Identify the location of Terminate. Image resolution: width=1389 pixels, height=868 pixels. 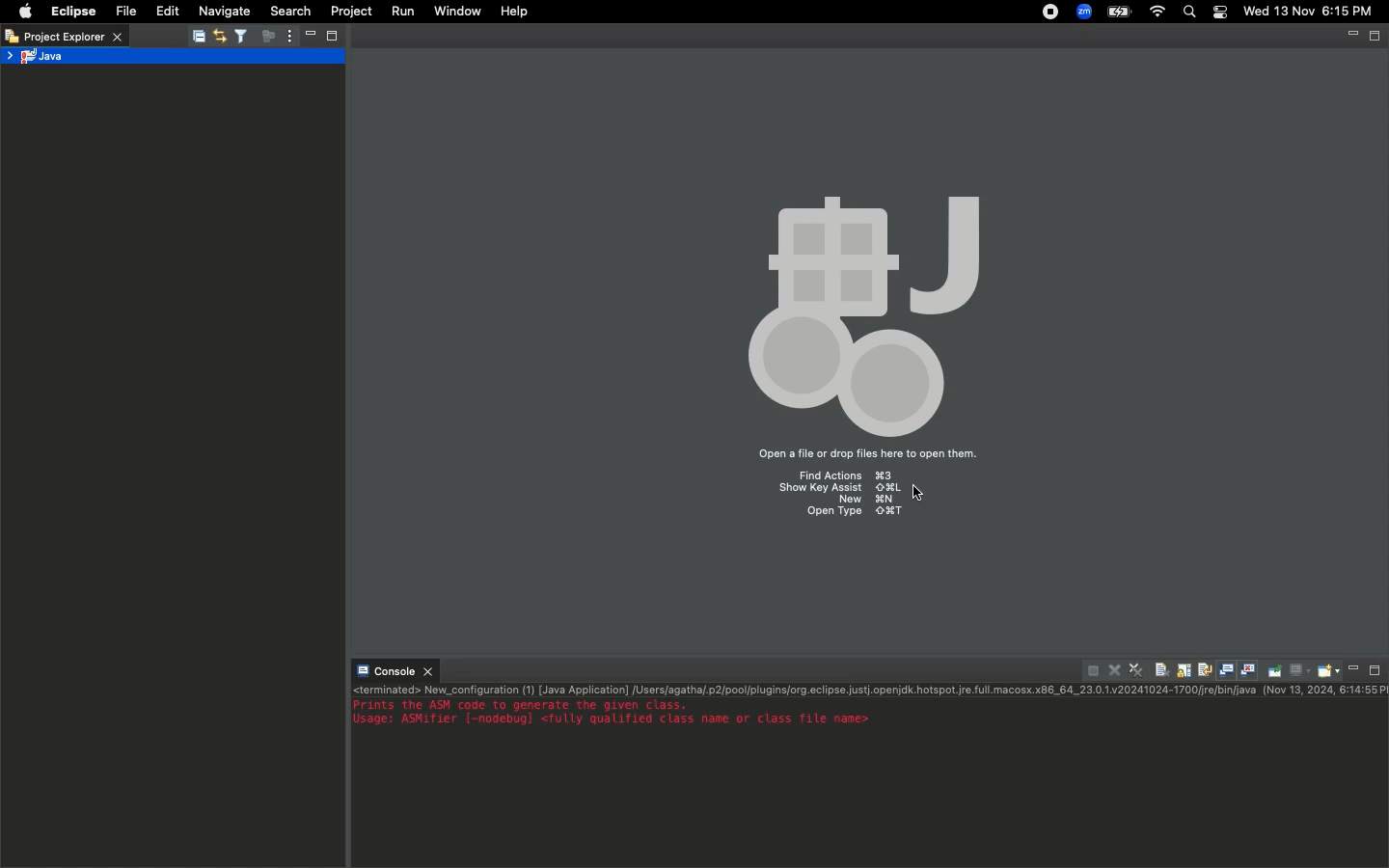
(1094, 669).